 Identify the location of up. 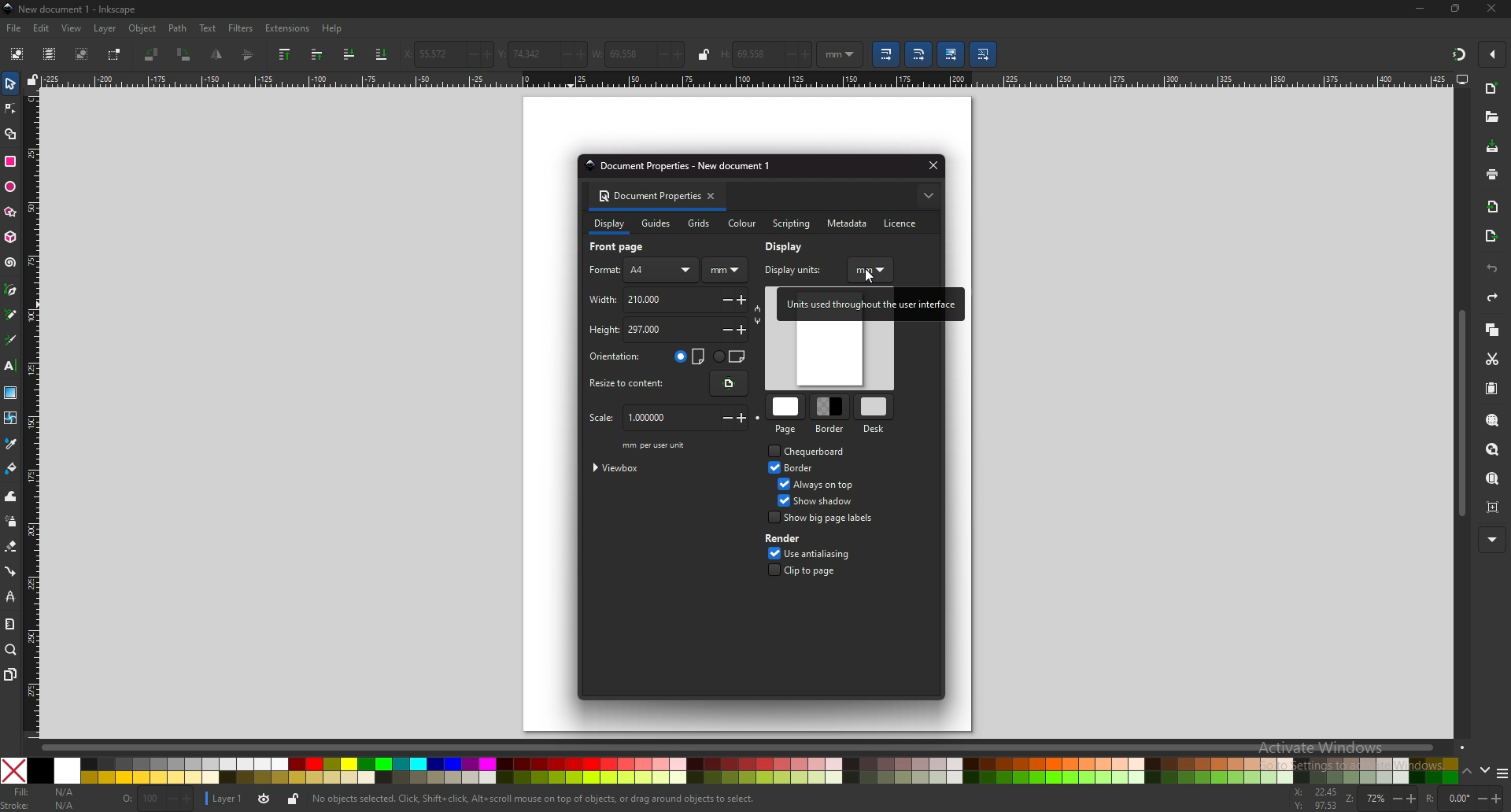
(1467, 770).